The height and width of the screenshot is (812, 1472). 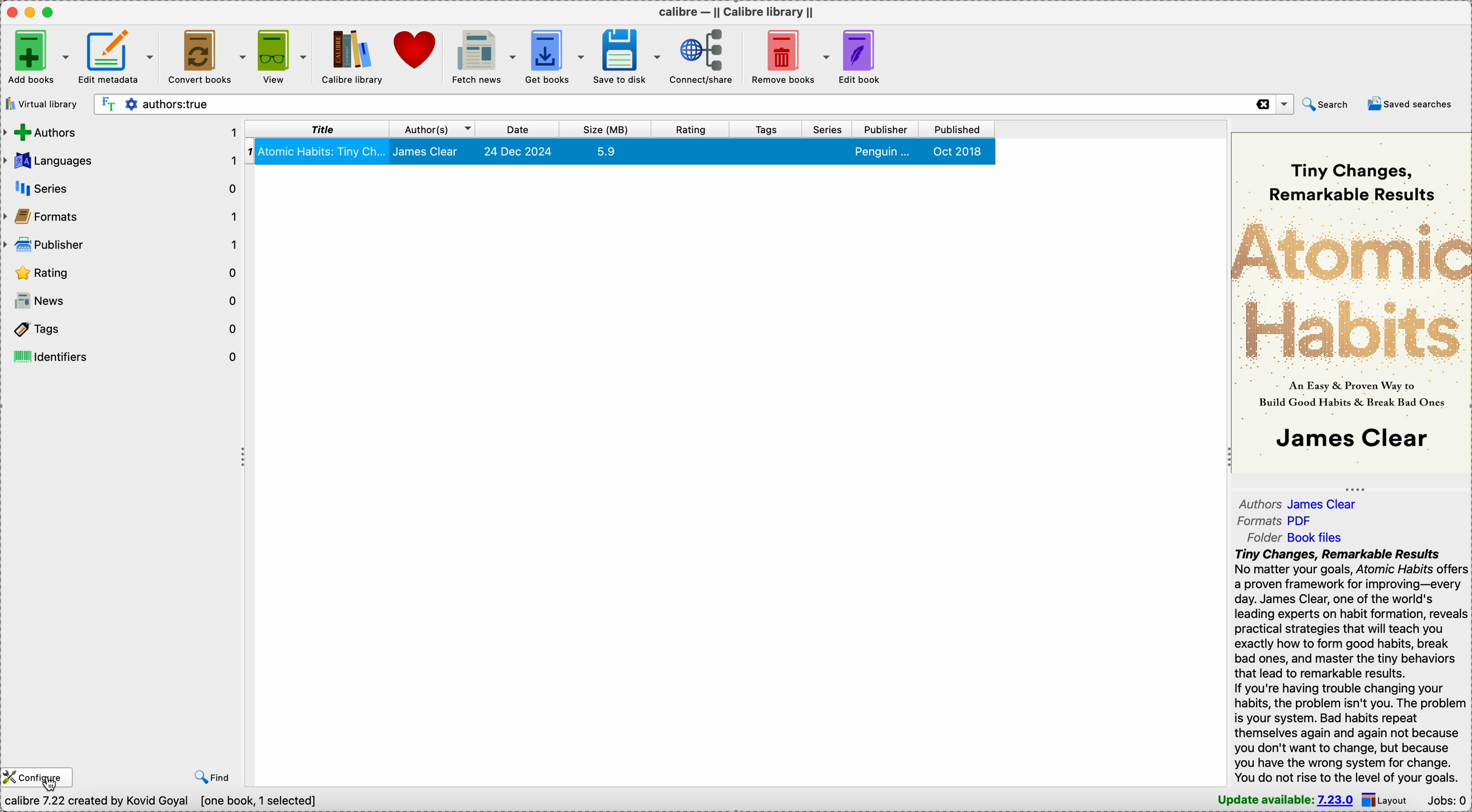 What do you see at coordinates (957, 129) in the screenshot?
I see `published` at bounding box center [957, 129].